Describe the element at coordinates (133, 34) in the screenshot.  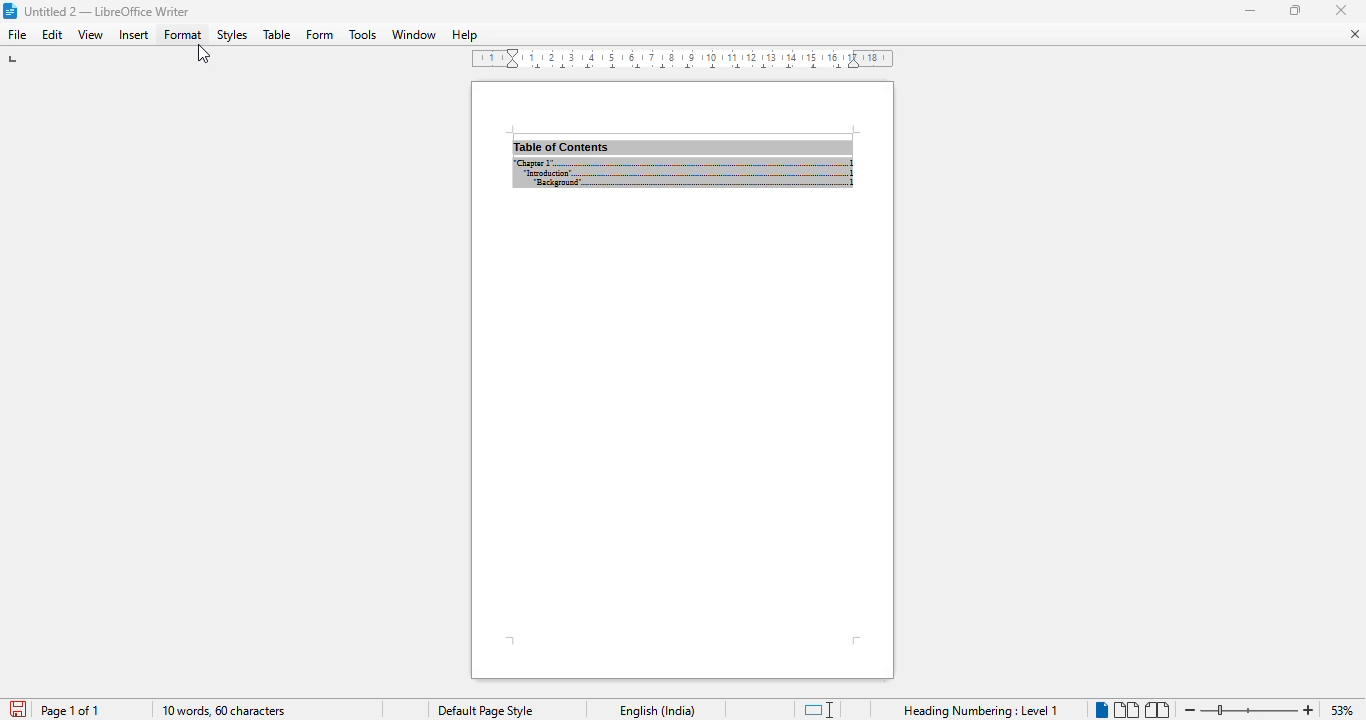
I see `insert` at that location.